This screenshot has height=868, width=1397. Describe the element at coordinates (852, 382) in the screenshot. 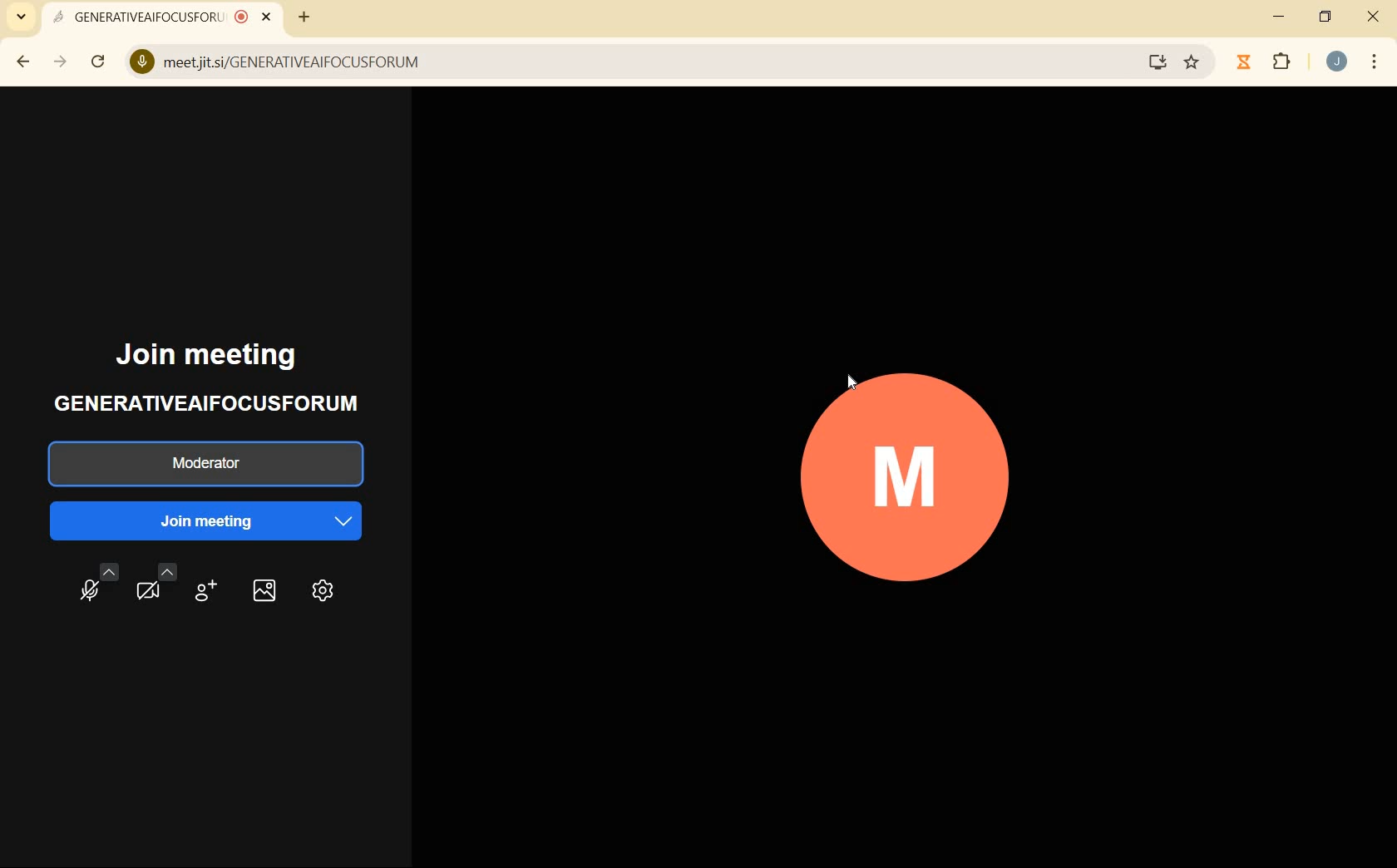

I see `cursor` at that location.